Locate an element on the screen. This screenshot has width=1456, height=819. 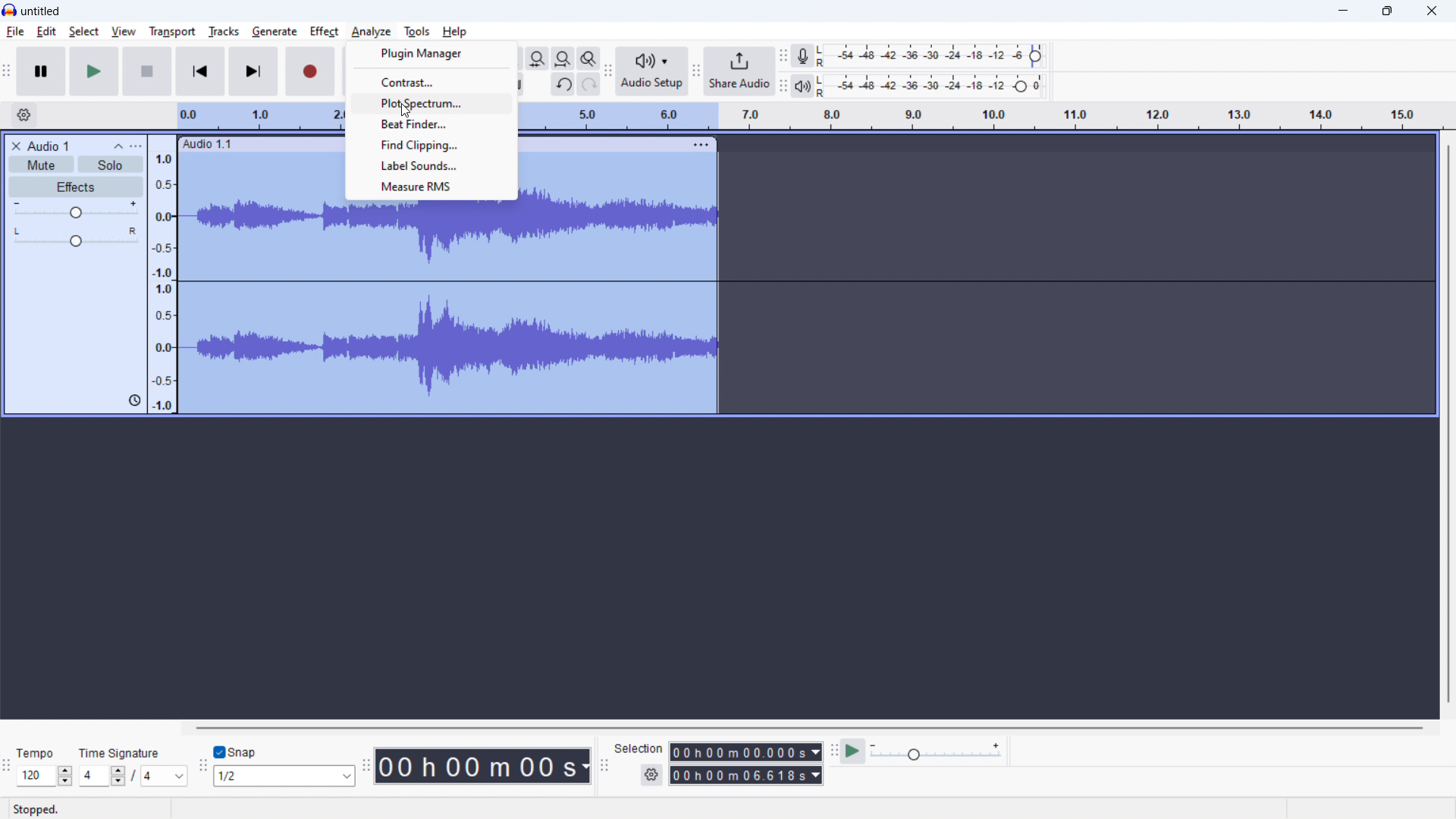
record is located at coordinates (309, 71).